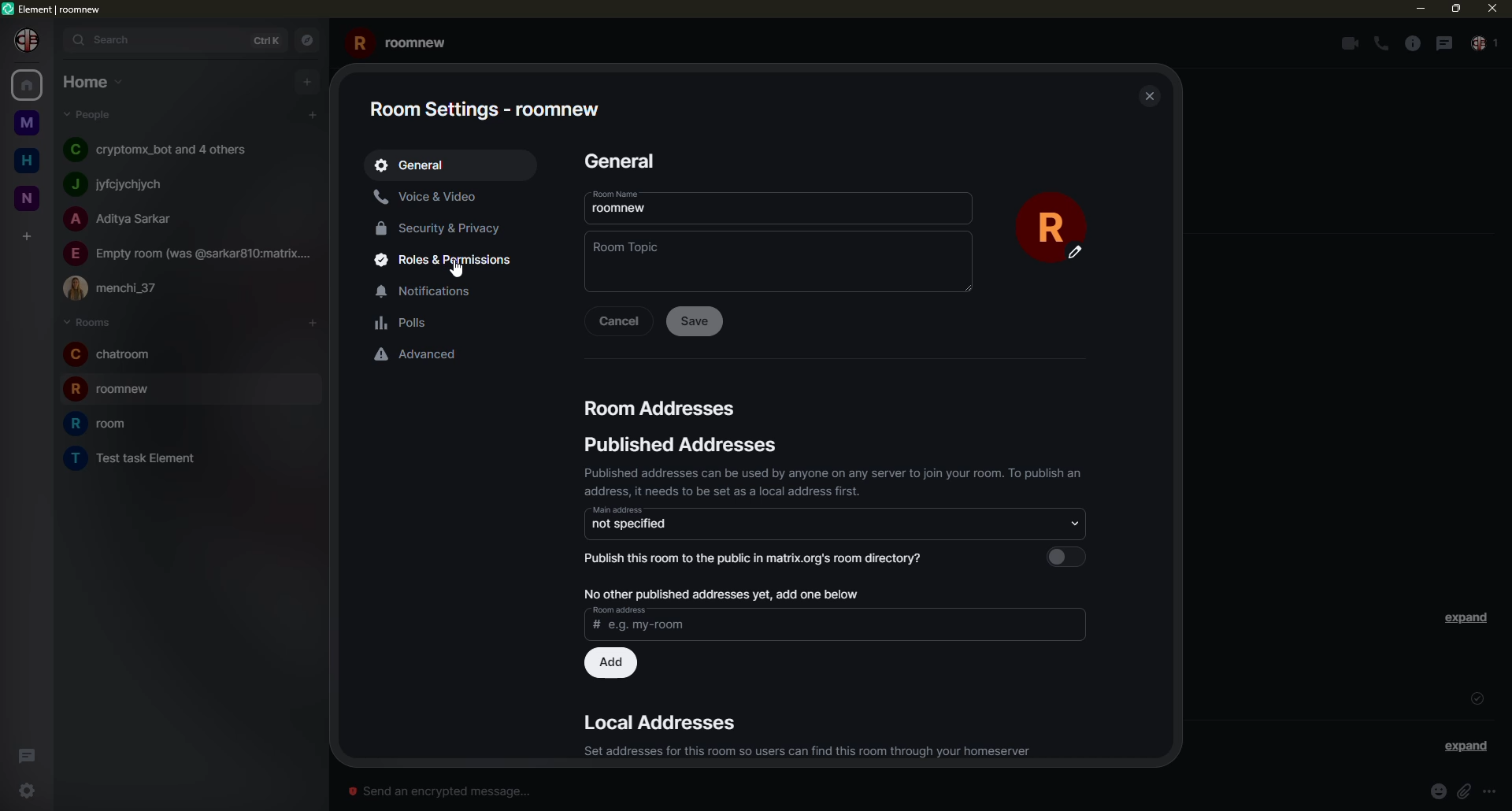  Describe the element at coordinates (92, 115) in the screenshot. I see `people` at that location.